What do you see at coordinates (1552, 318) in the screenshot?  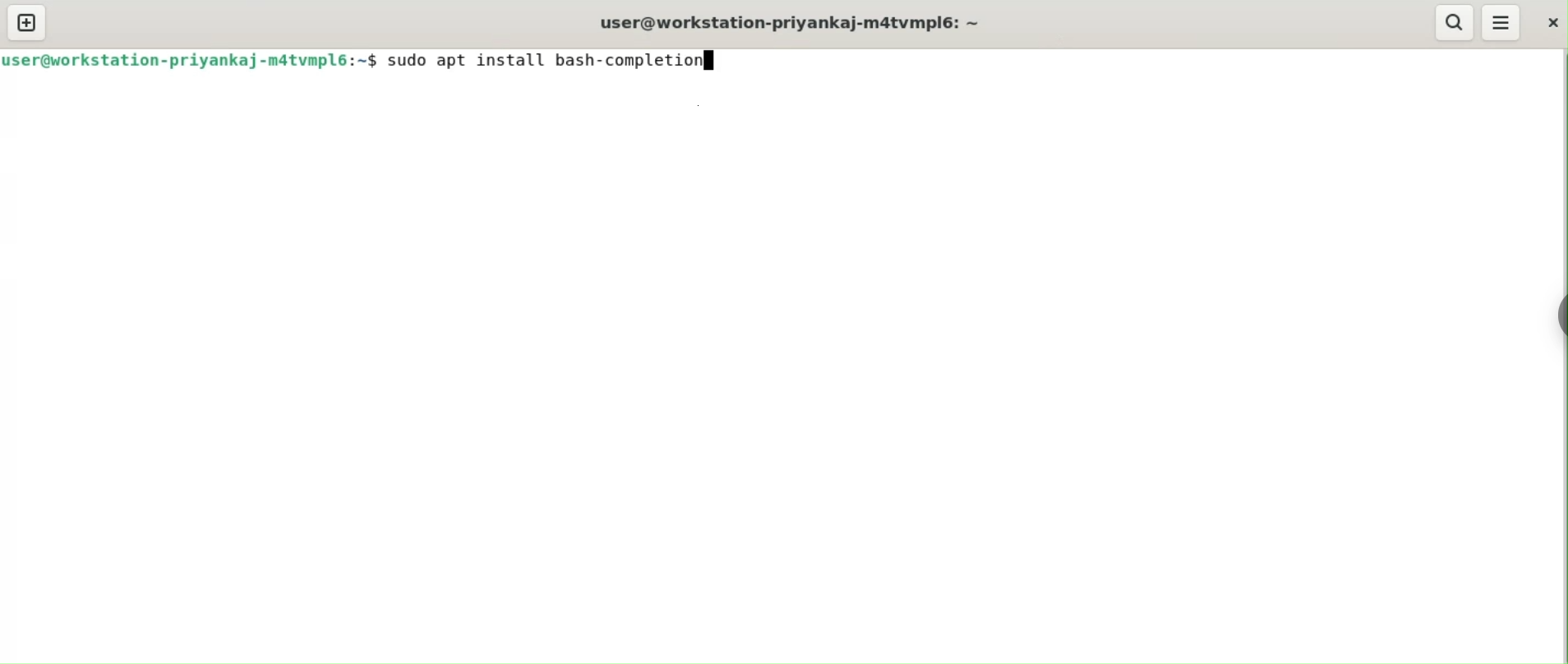 I see `chrome option` at bounding box center [1552, 318].